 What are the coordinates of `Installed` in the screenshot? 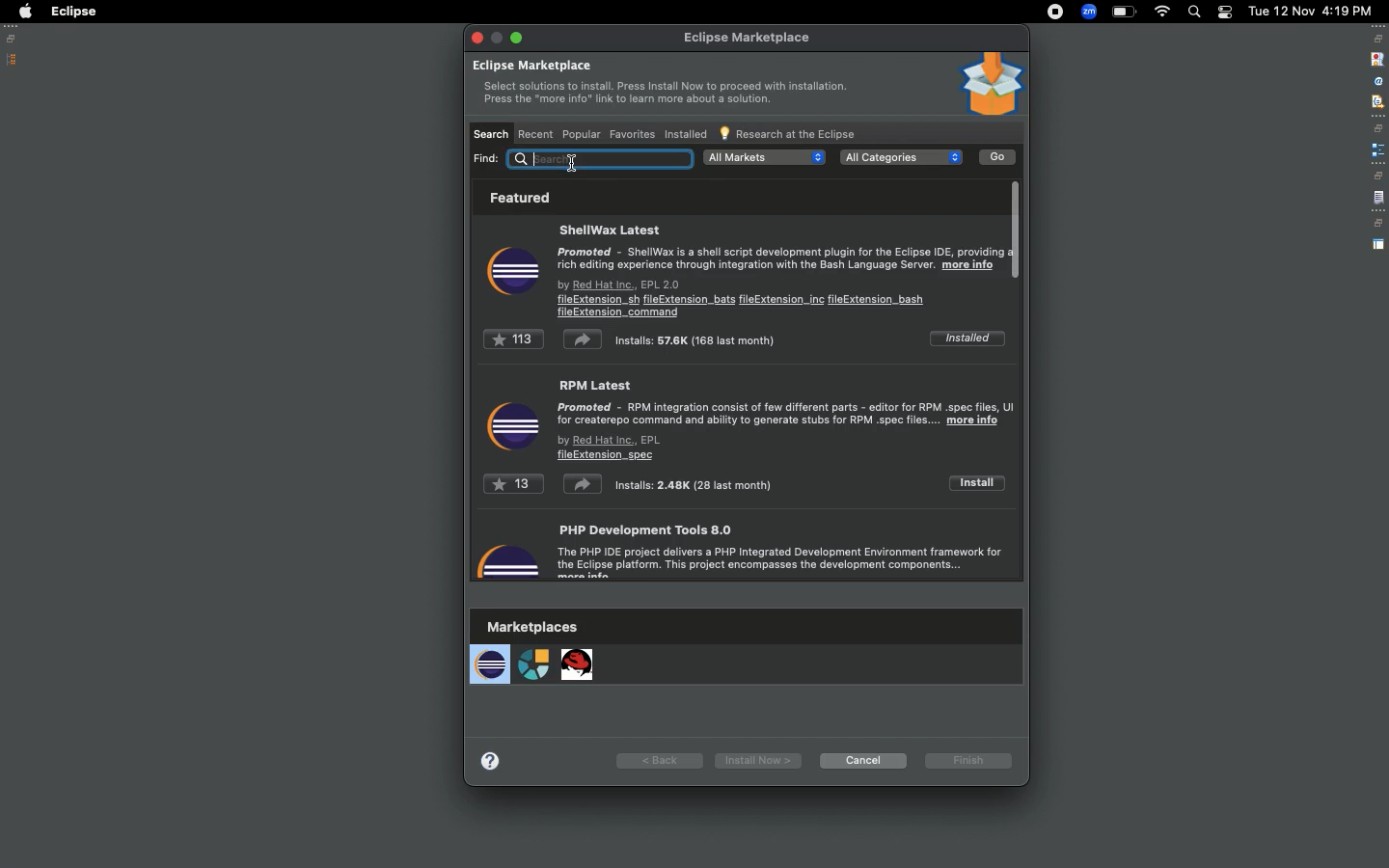 It's located at (685, 135).